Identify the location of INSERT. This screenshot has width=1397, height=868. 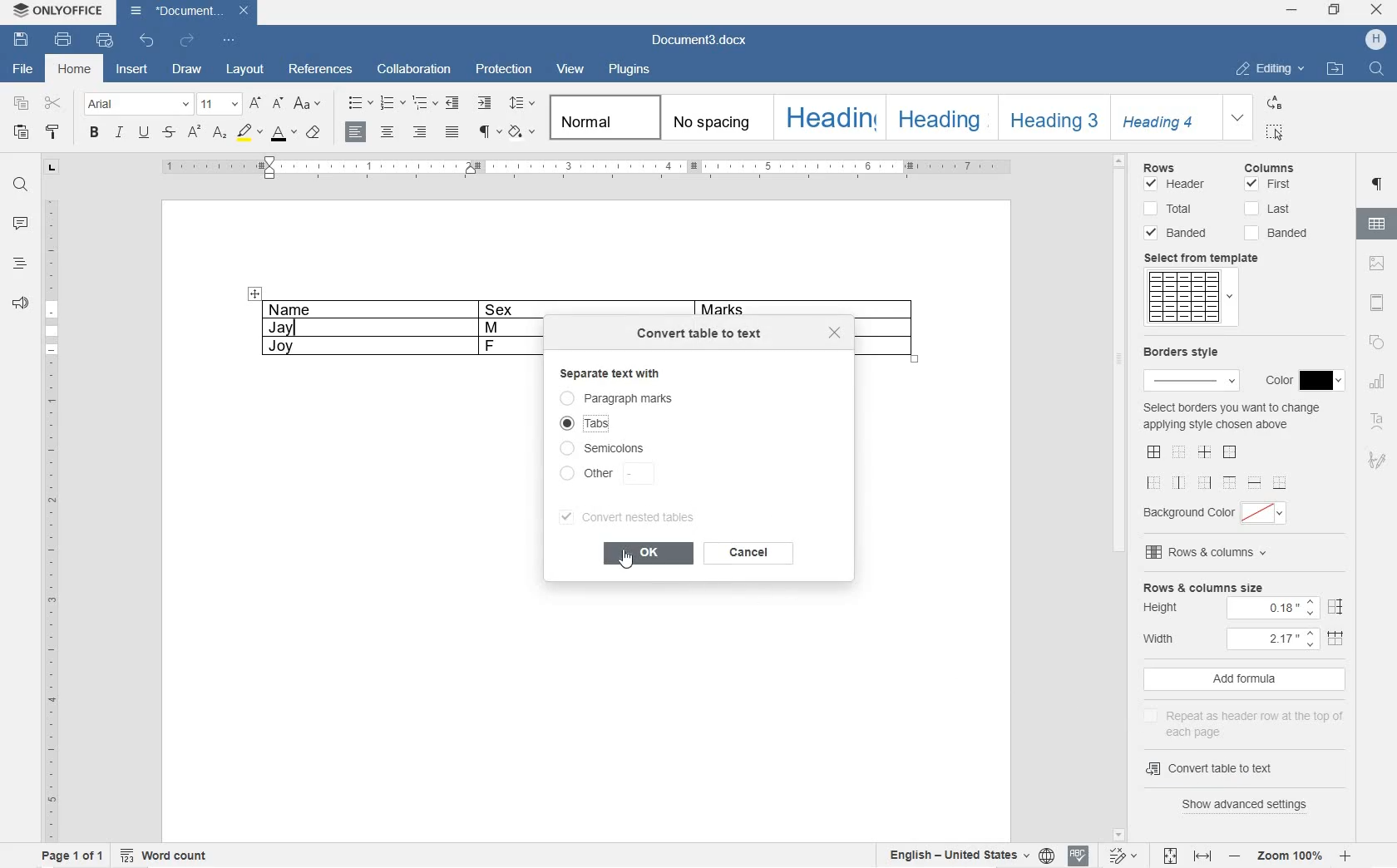
(134, 70).